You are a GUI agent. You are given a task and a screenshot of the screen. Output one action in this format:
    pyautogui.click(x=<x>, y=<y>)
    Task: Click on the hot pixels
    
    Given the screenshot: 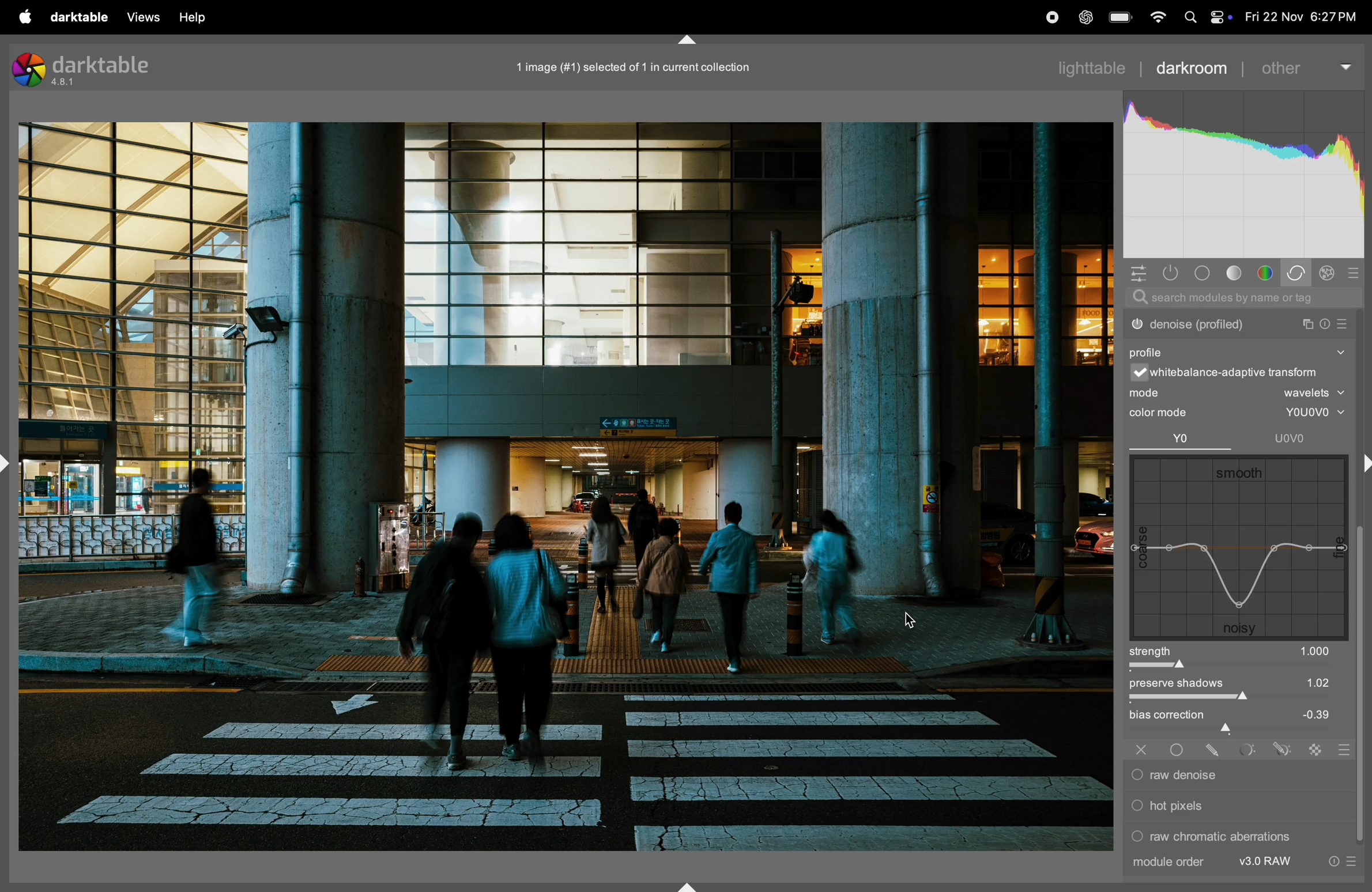 What is the action you would take?
    pyautogui.click(x=1220, y=806)
    